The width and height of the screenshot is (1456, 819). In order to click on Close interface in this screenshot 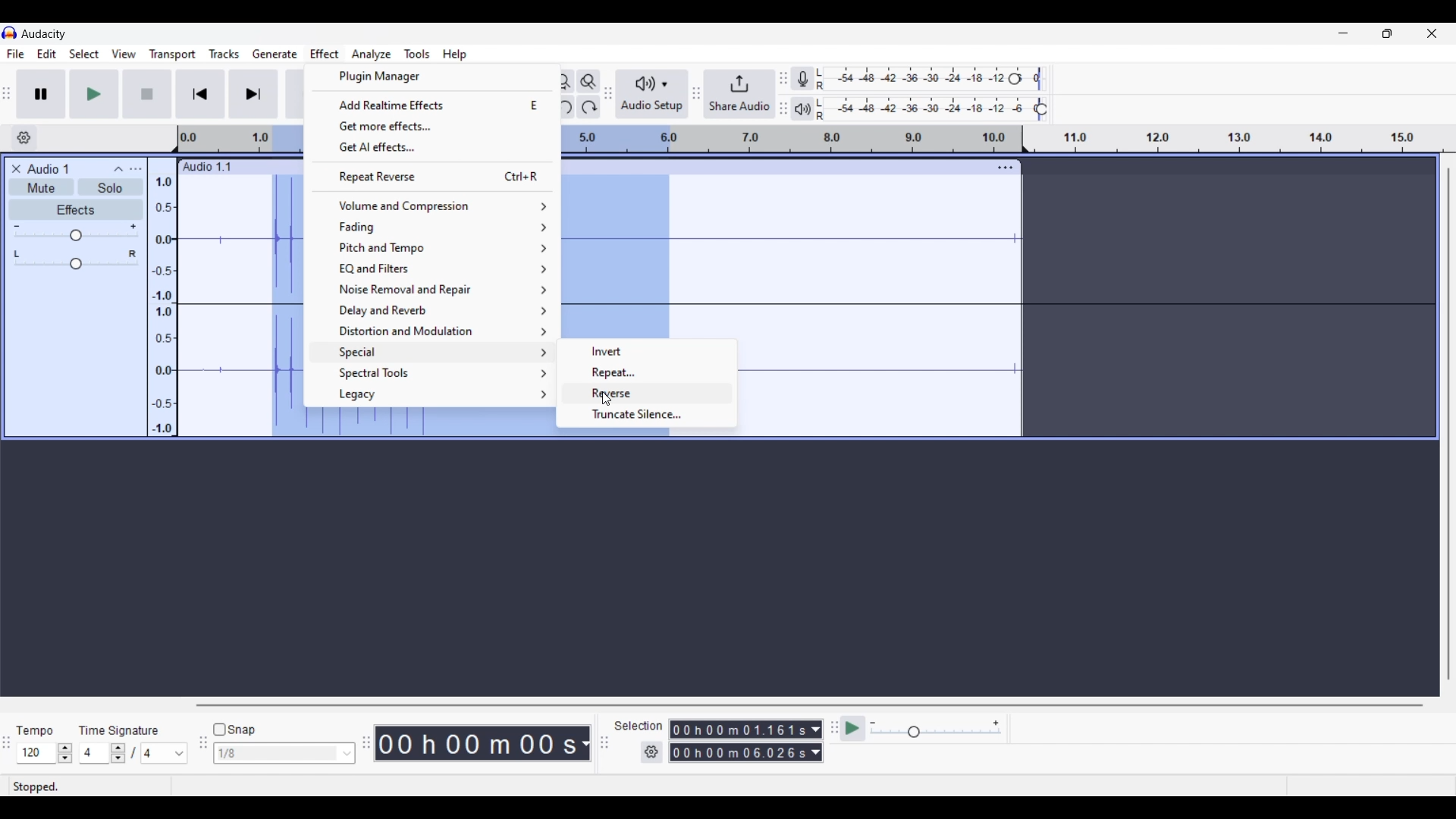, I will do `click(1432, 33)`.